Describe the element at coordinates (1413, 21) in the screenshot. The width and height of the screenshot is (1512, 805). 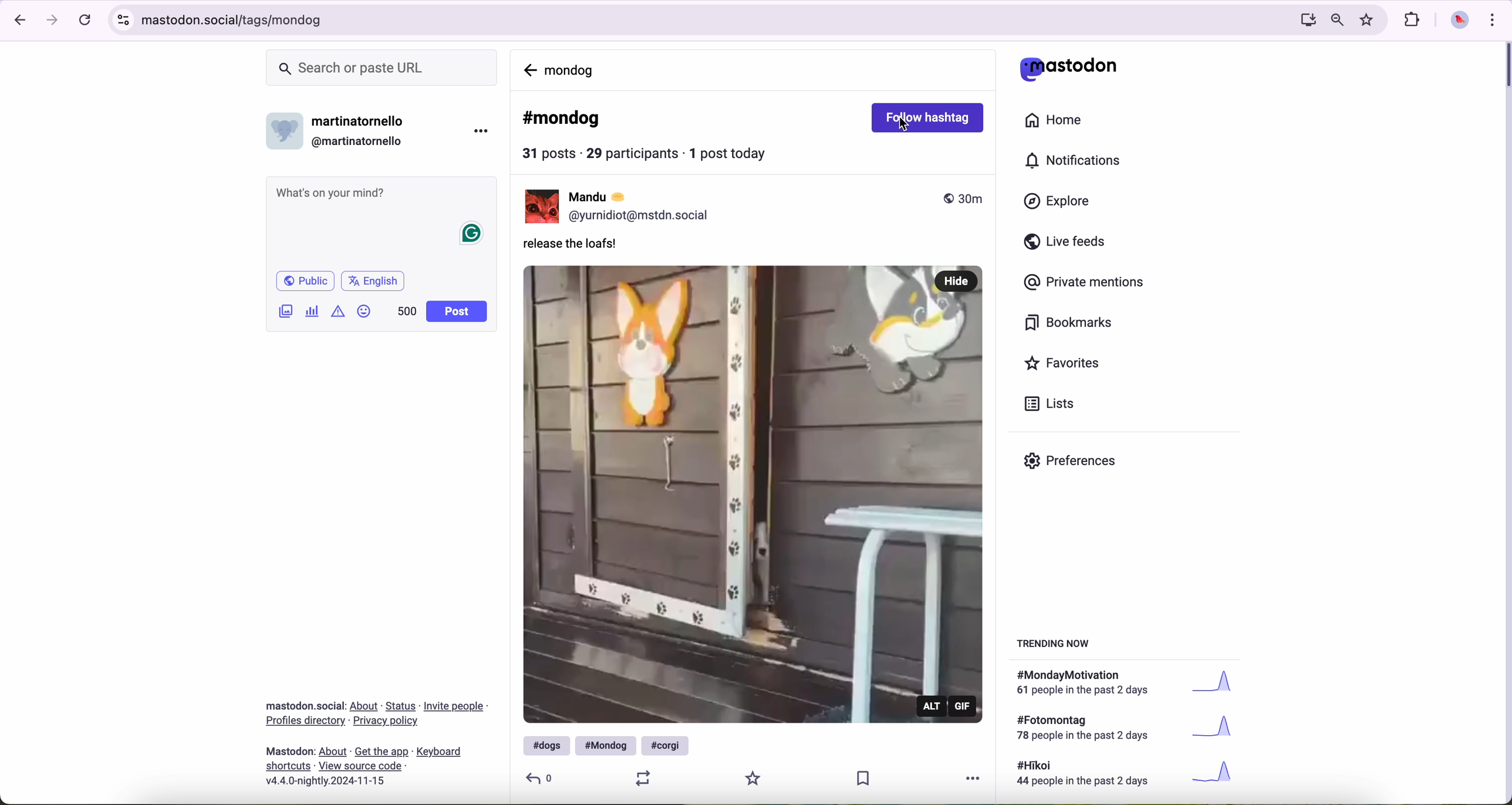
I see `extensions` at that location.